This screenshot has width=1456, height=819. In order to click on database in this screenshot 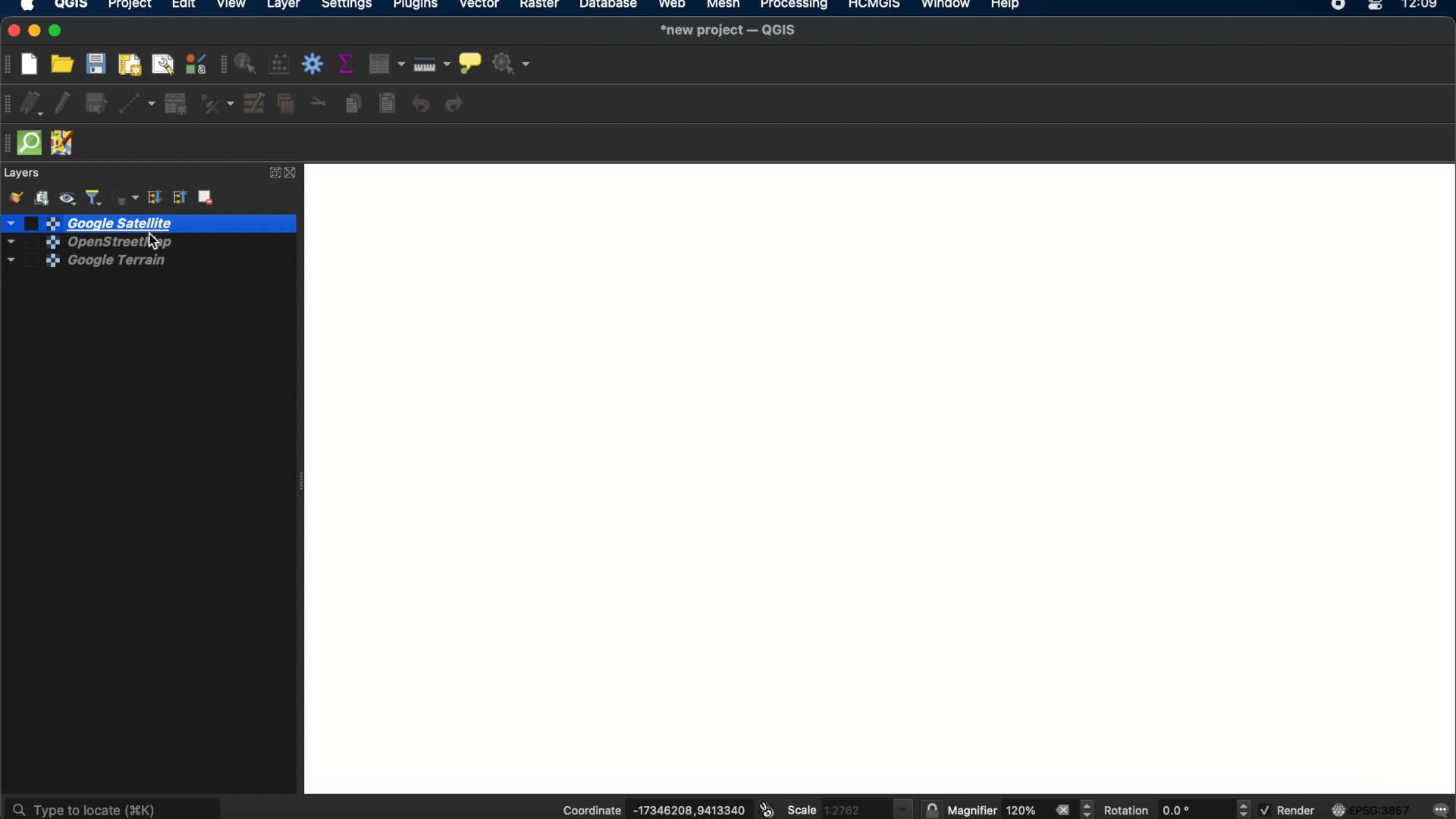, I will do `click(609, 6)`.